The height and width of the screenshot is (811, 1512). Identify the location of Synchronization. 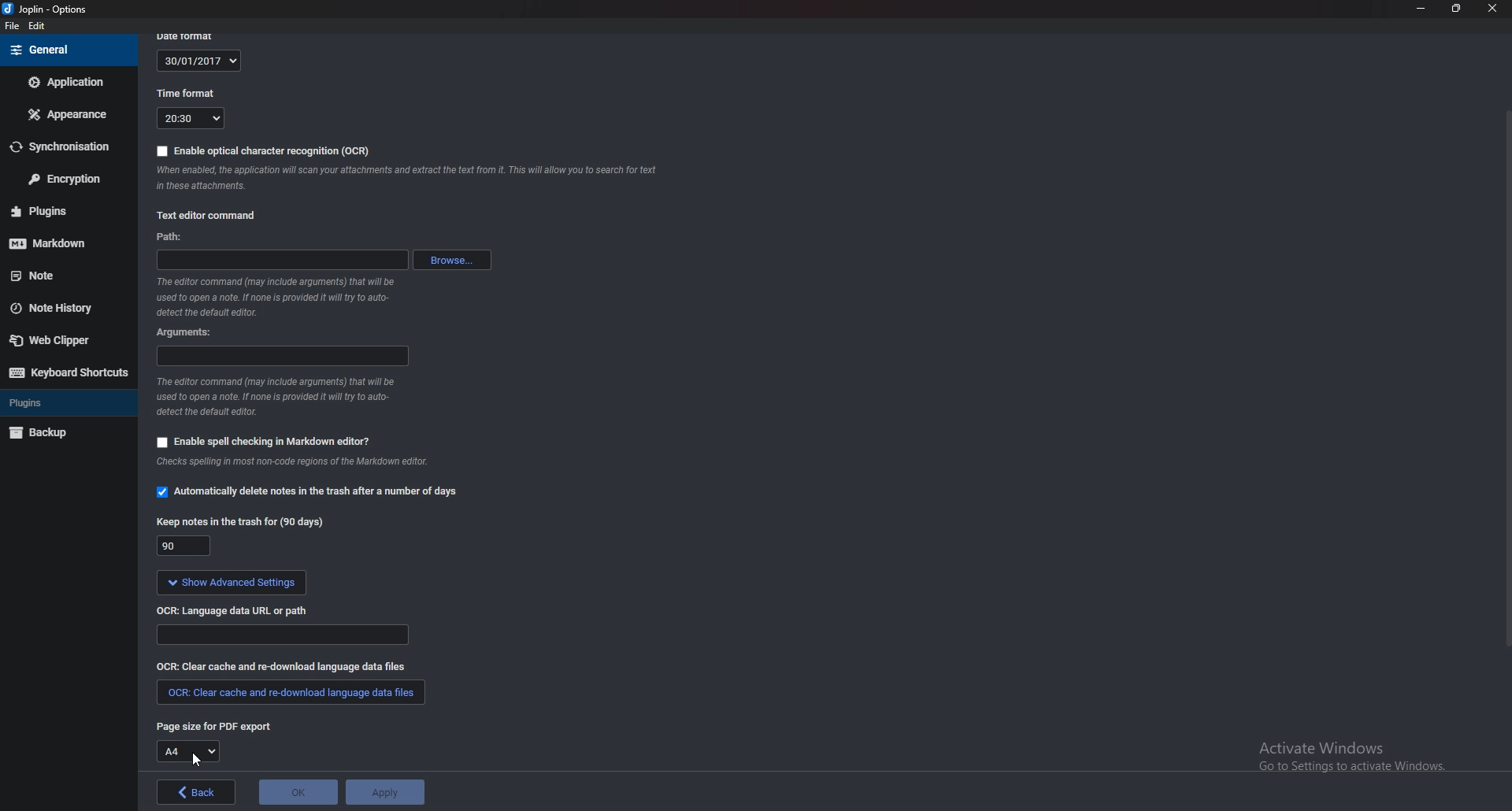
(62, 146).